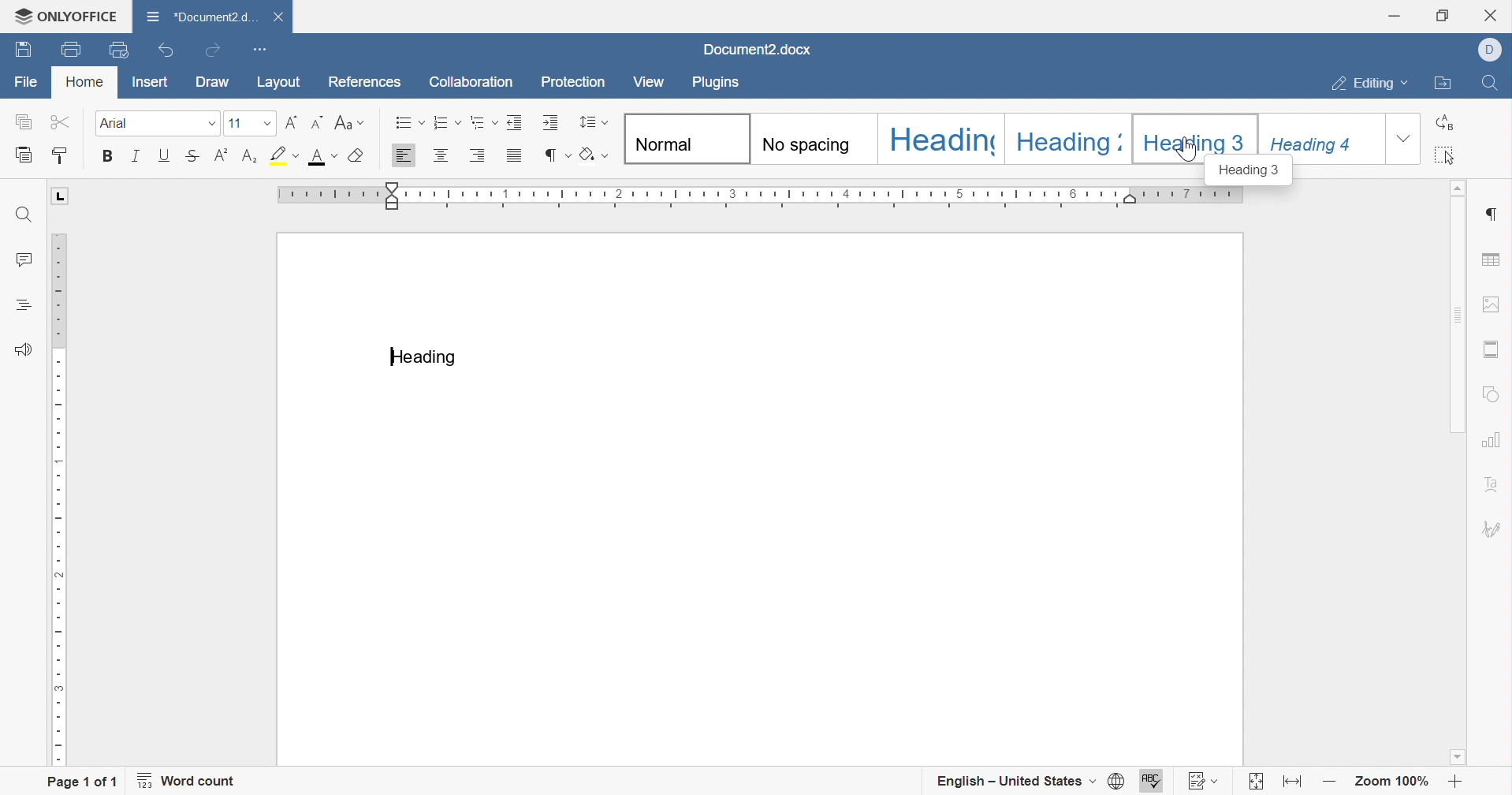  I want to click on Highlight color, so click(281, 153).